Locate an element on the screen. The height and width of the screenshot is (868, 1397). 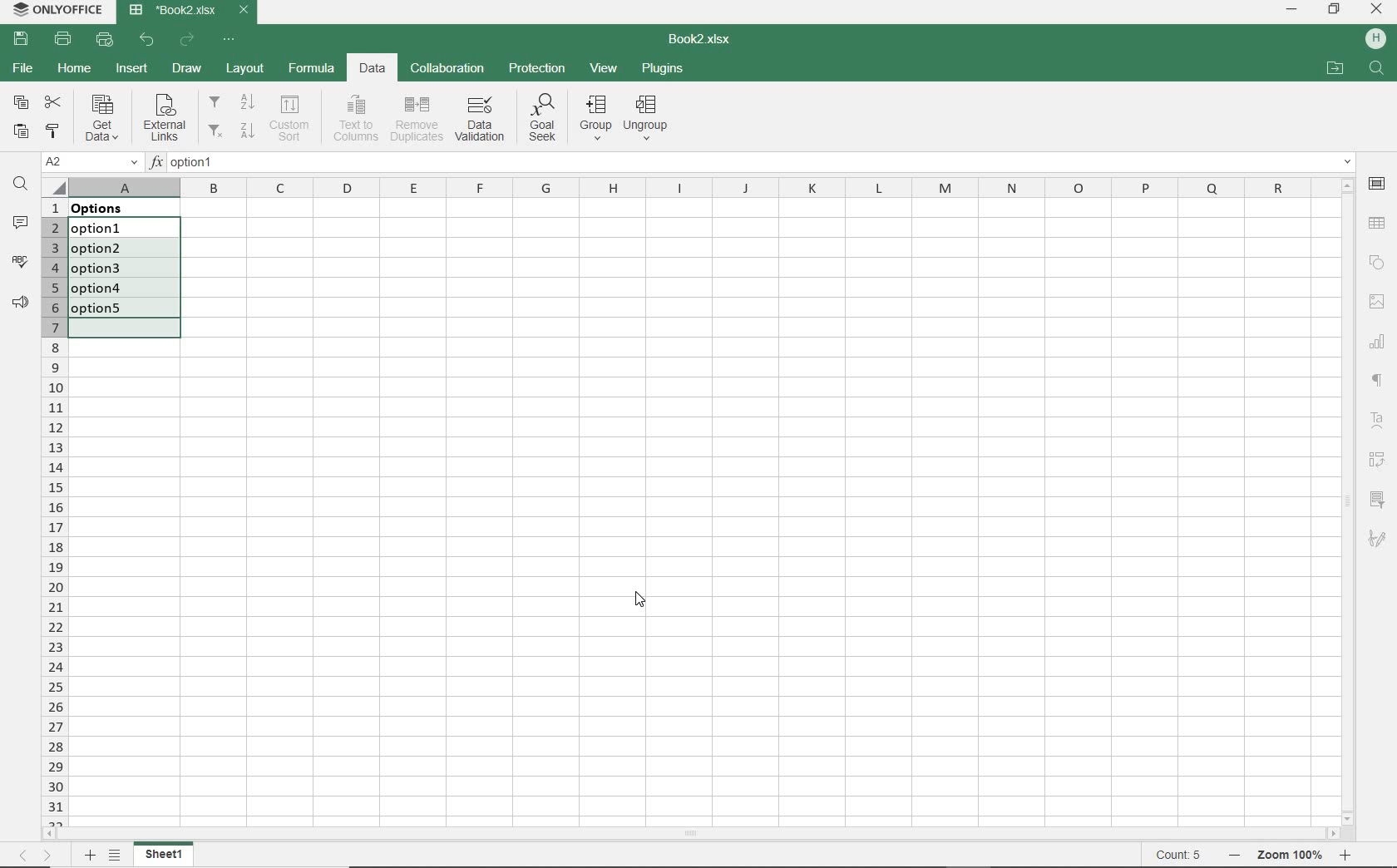
Ungroup is located at coordinates (649, 118).